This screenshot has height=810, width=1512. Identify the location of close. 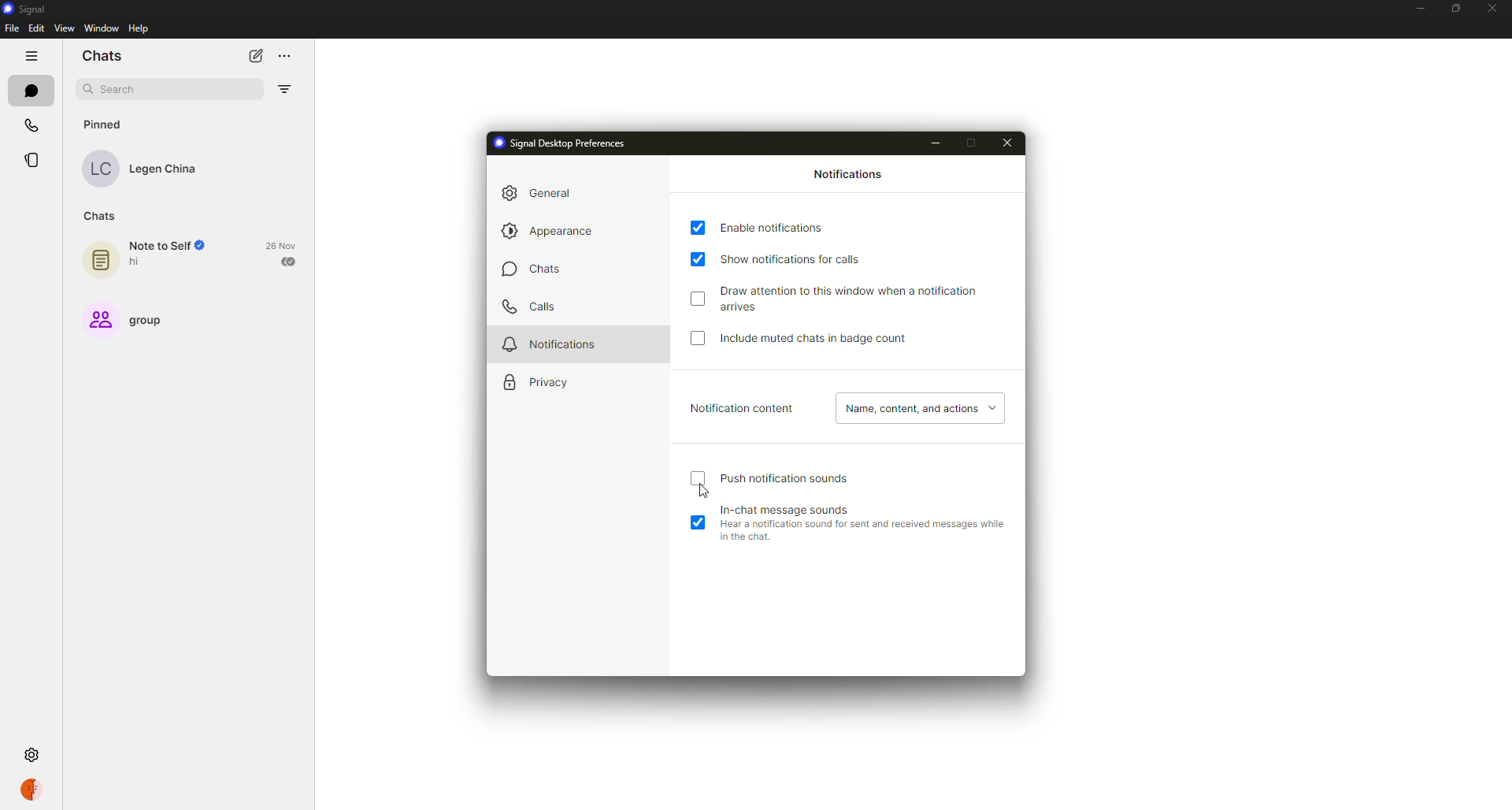
(1011, 139).